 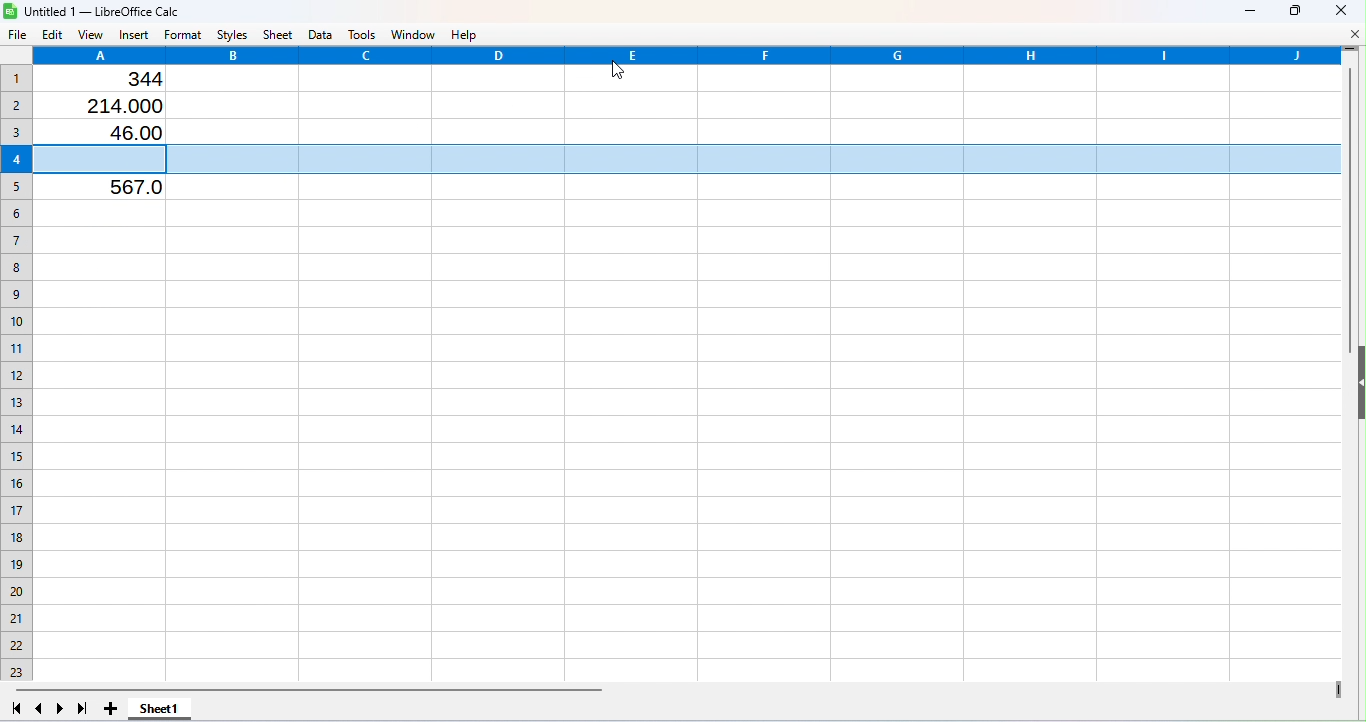 What do you see at coordinates (15, 36) in the screenshot?
I see `File` at bounding box center [15, 36].